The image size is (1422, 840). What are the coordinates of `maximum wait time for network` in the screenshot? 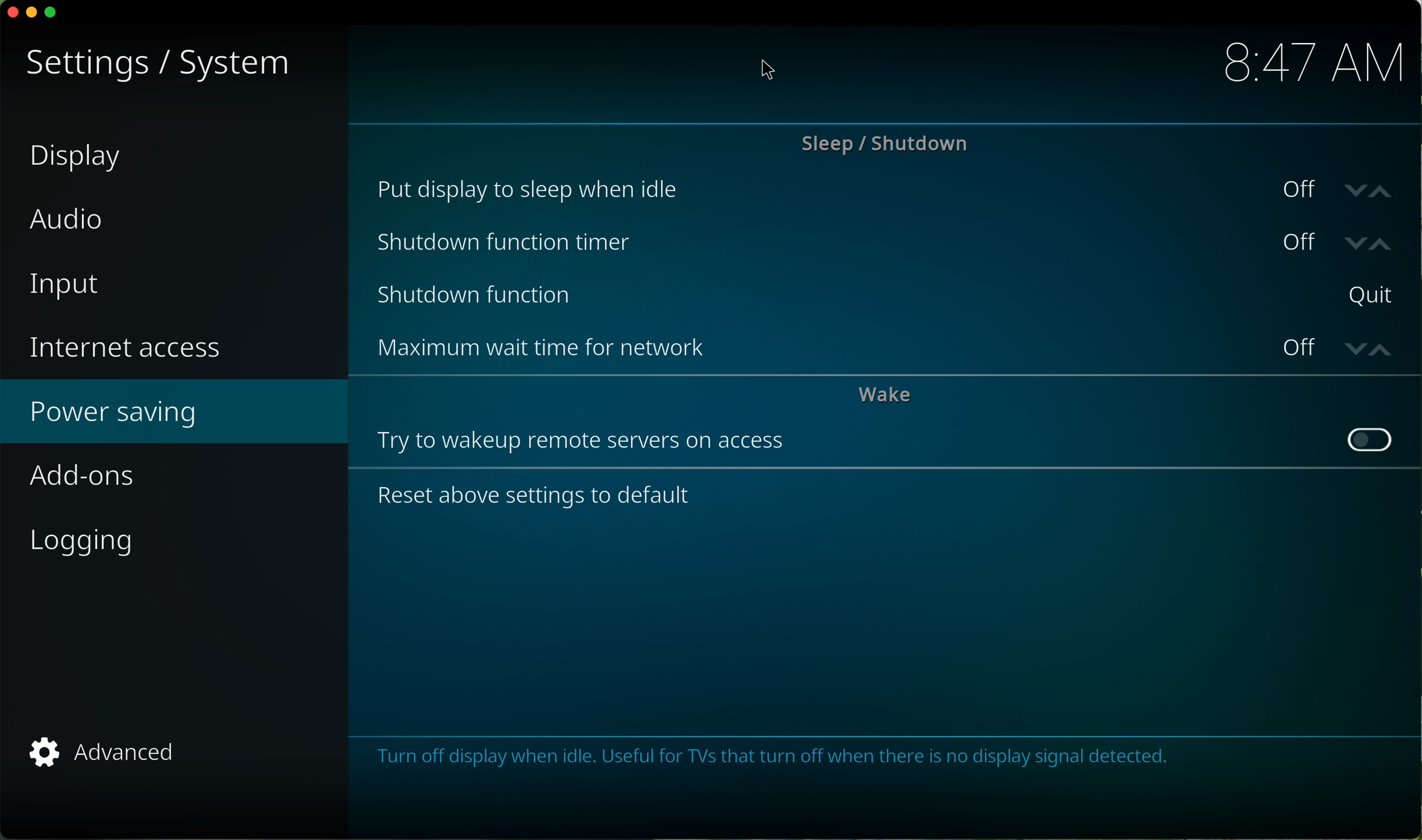 It's located at (546, 346).